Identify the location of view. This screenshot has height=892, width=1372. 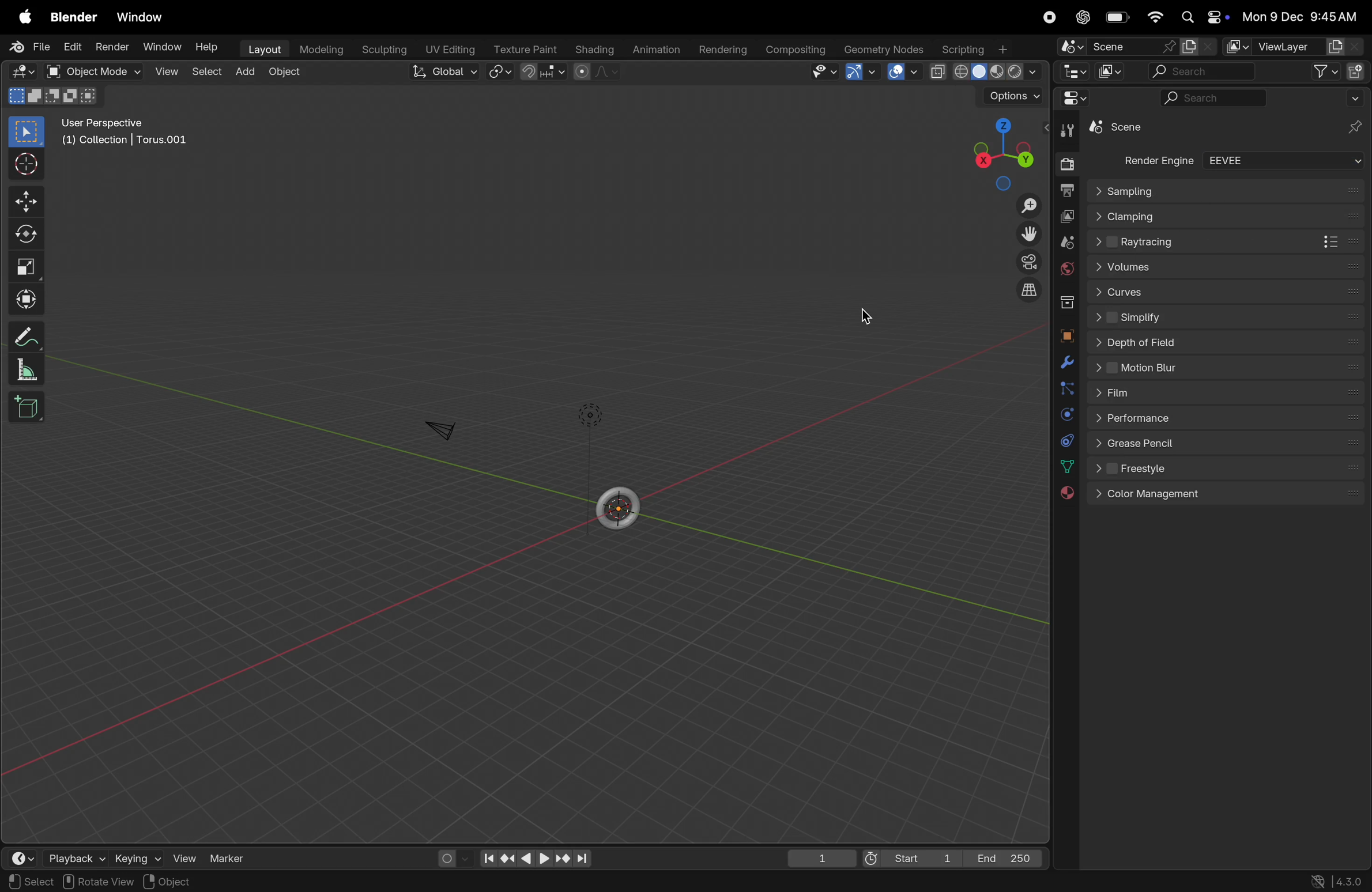
(167, 73).